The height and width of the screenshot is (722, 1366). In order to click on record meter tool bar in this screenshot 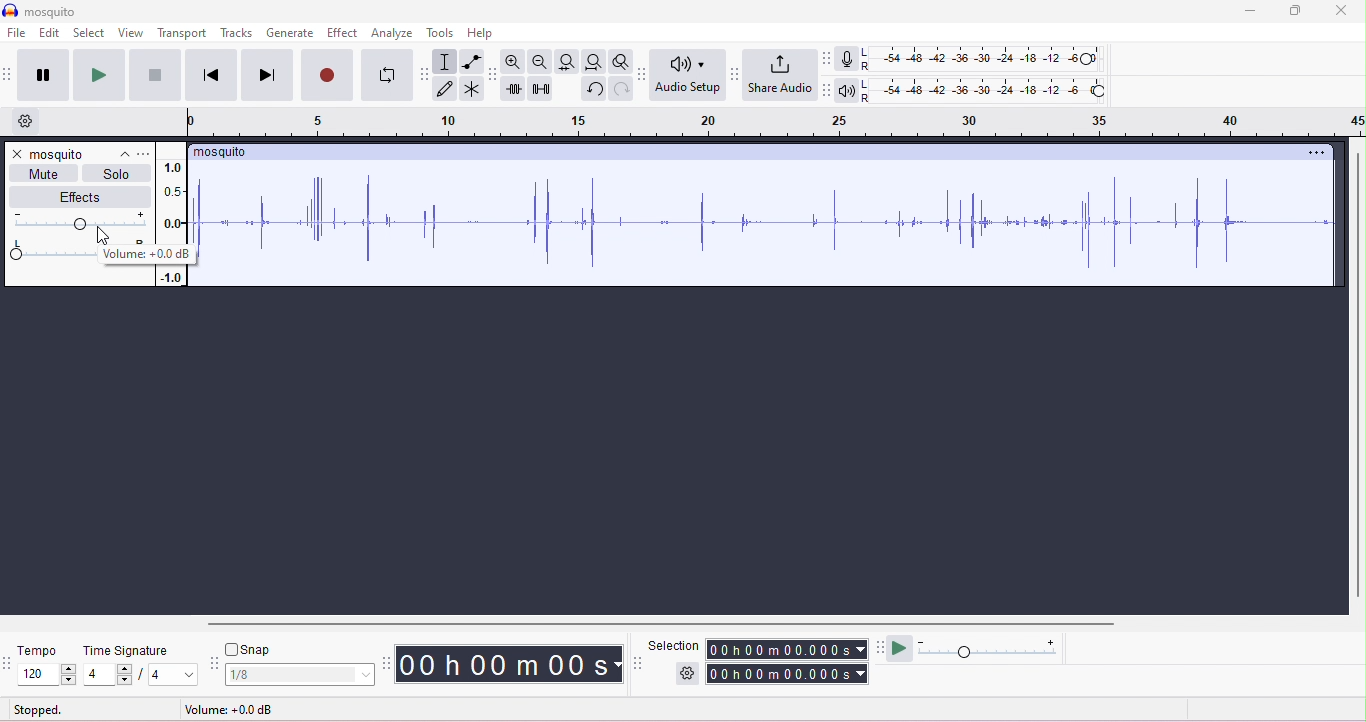, I will do `click(830, 59)`.